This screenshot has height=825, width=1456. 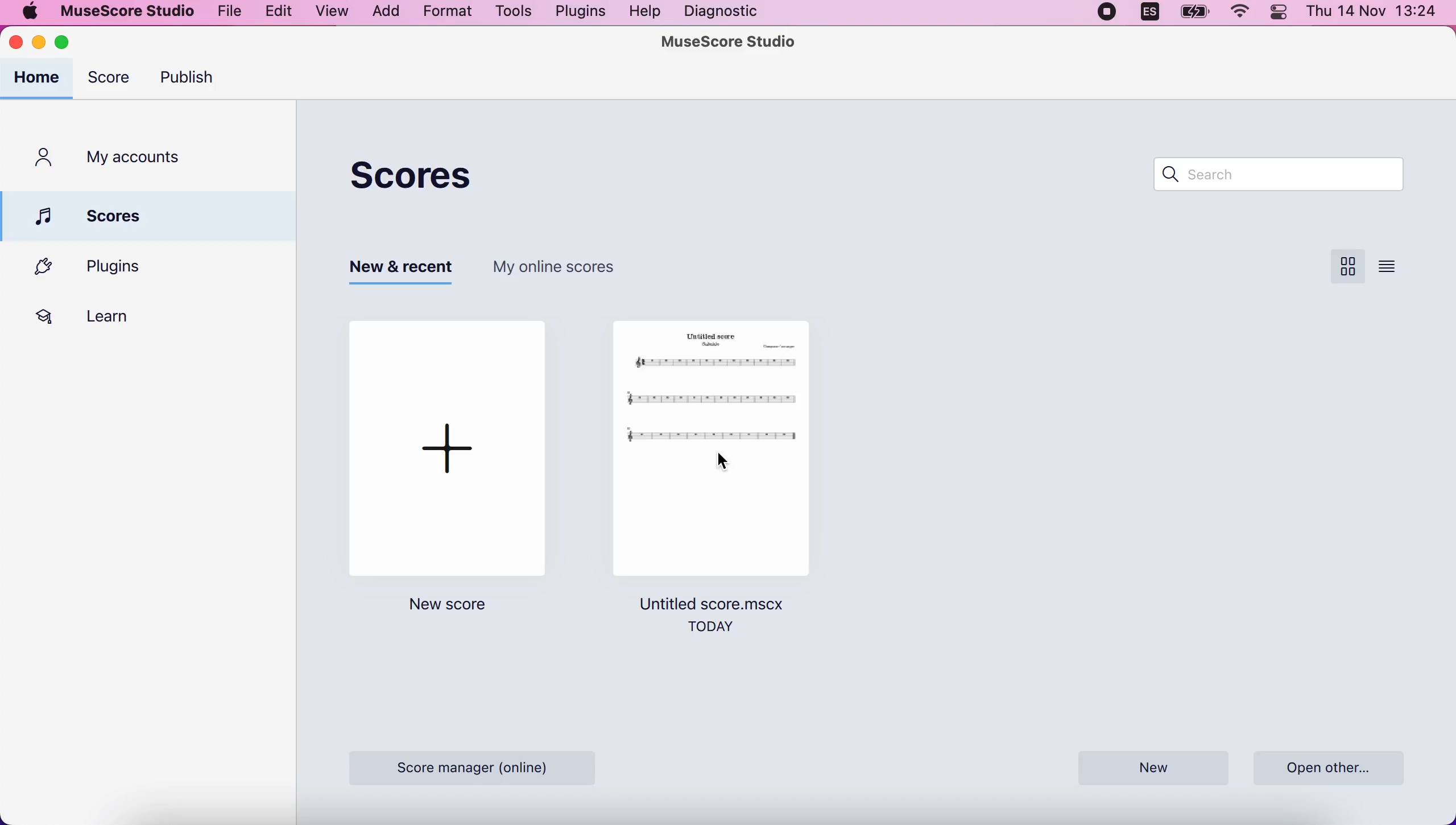 I want to click on add, so click(x=381, y=12).